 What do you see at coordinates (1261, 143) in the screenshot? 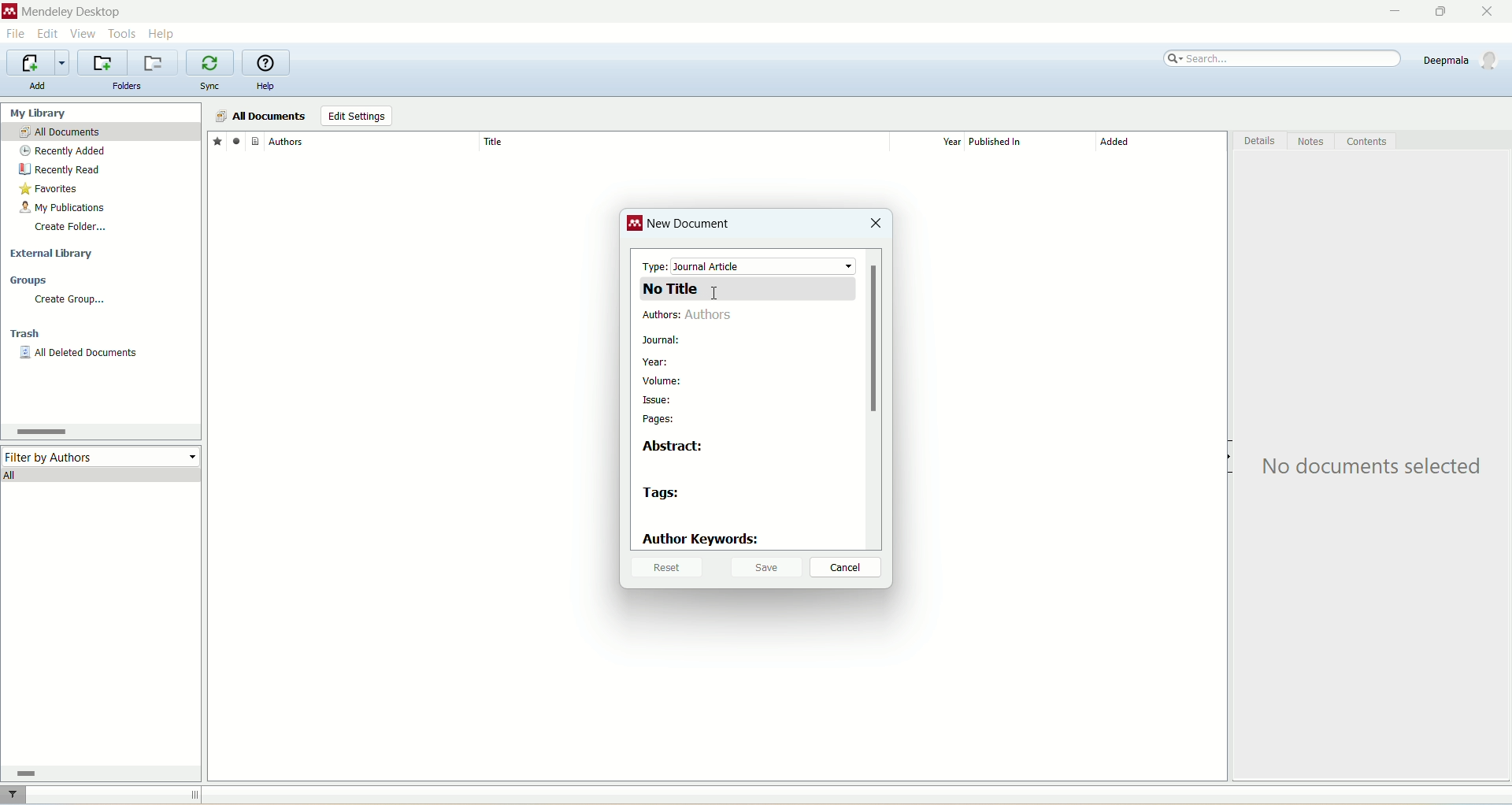
I see `details` at bounding box center [1261, 143].